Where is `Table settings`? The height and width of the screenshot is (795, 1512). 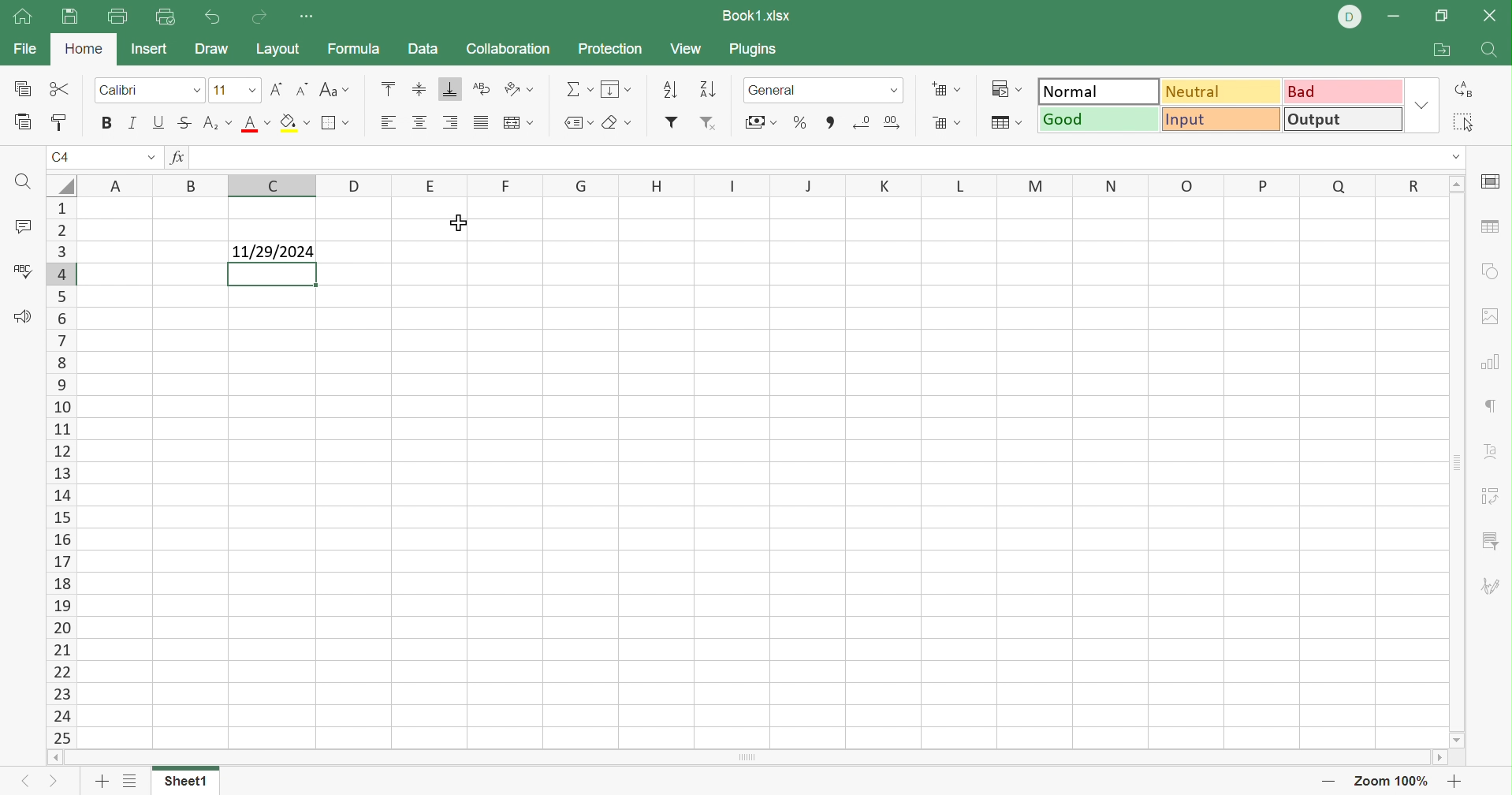 Table settings is located at coordinates (1494, 230).